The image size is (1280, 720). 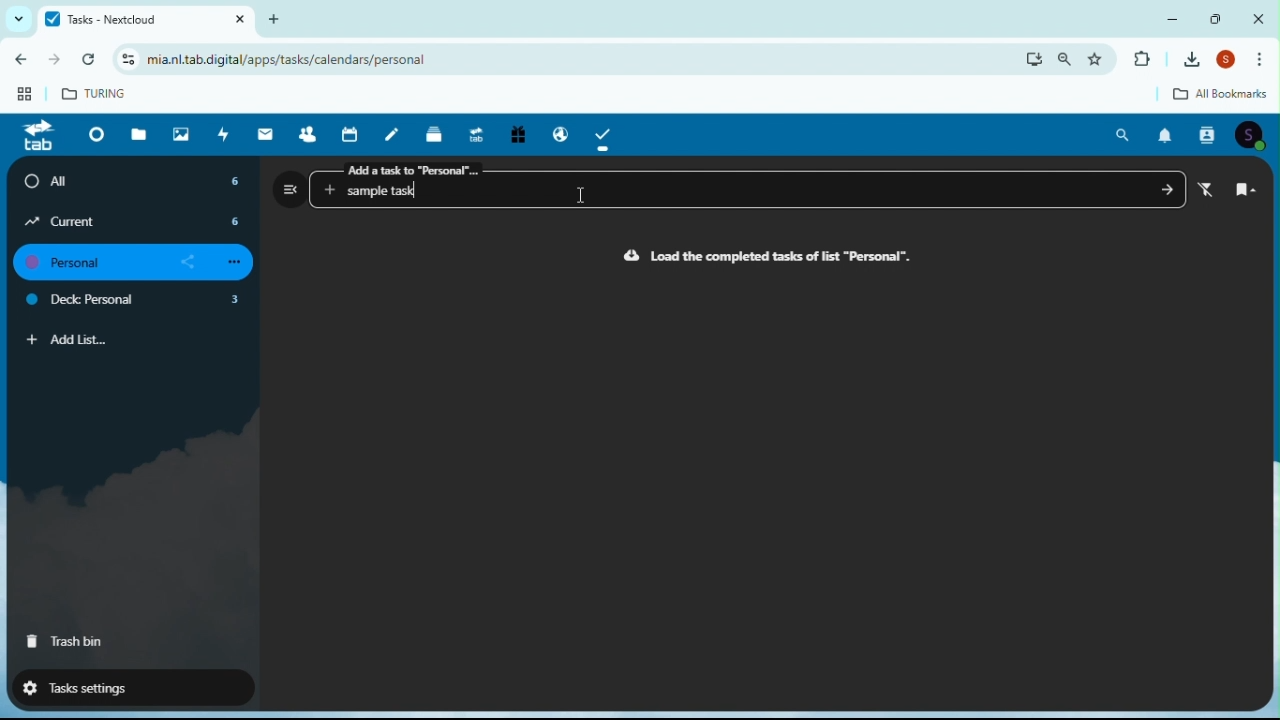 What do you see at coordinates (1218, 18) in the screenshot?
I see `Restore` at bounding box center [1218, 18].